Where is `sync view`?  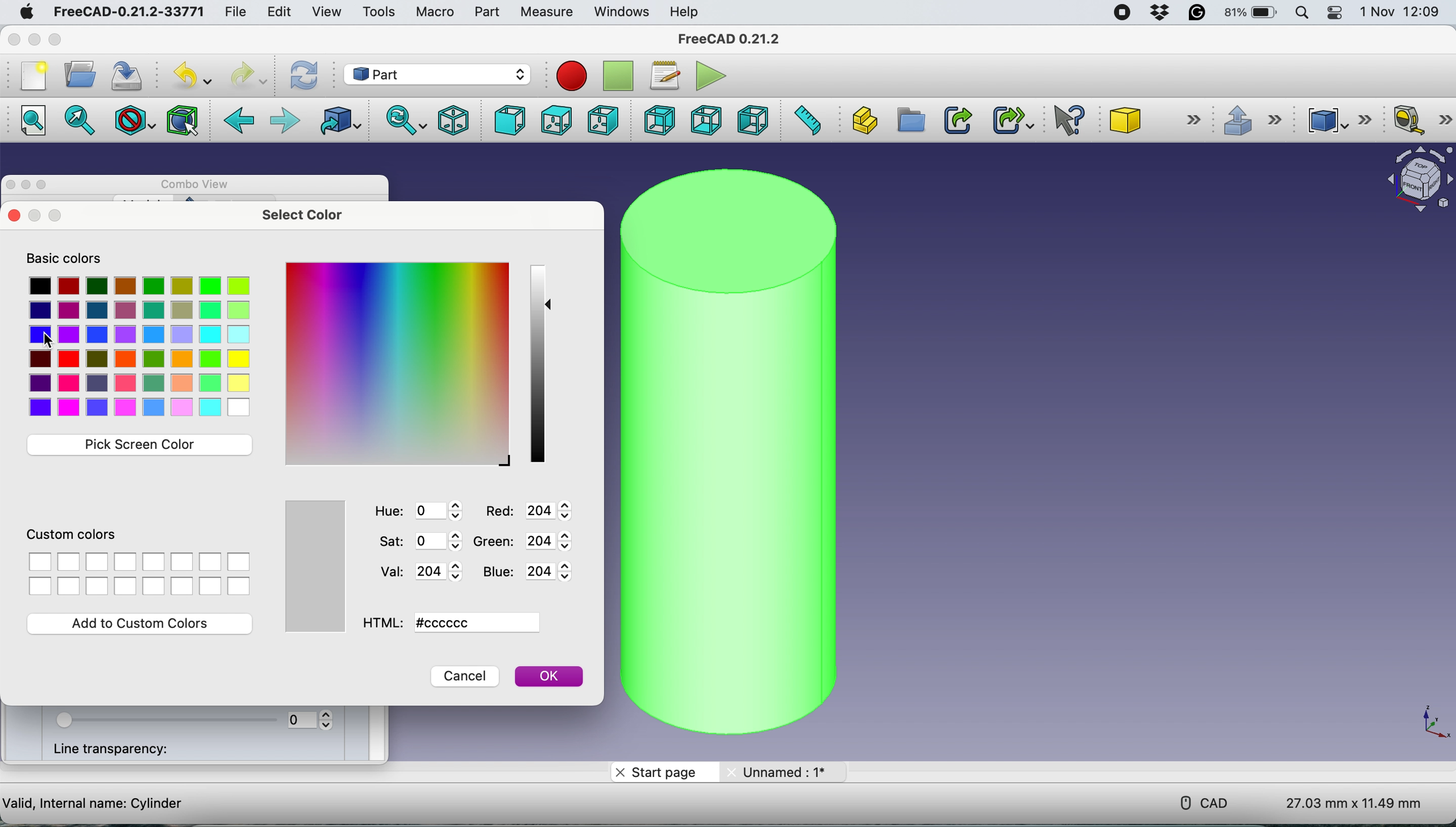 sync view is located at coordinates (403, 120).